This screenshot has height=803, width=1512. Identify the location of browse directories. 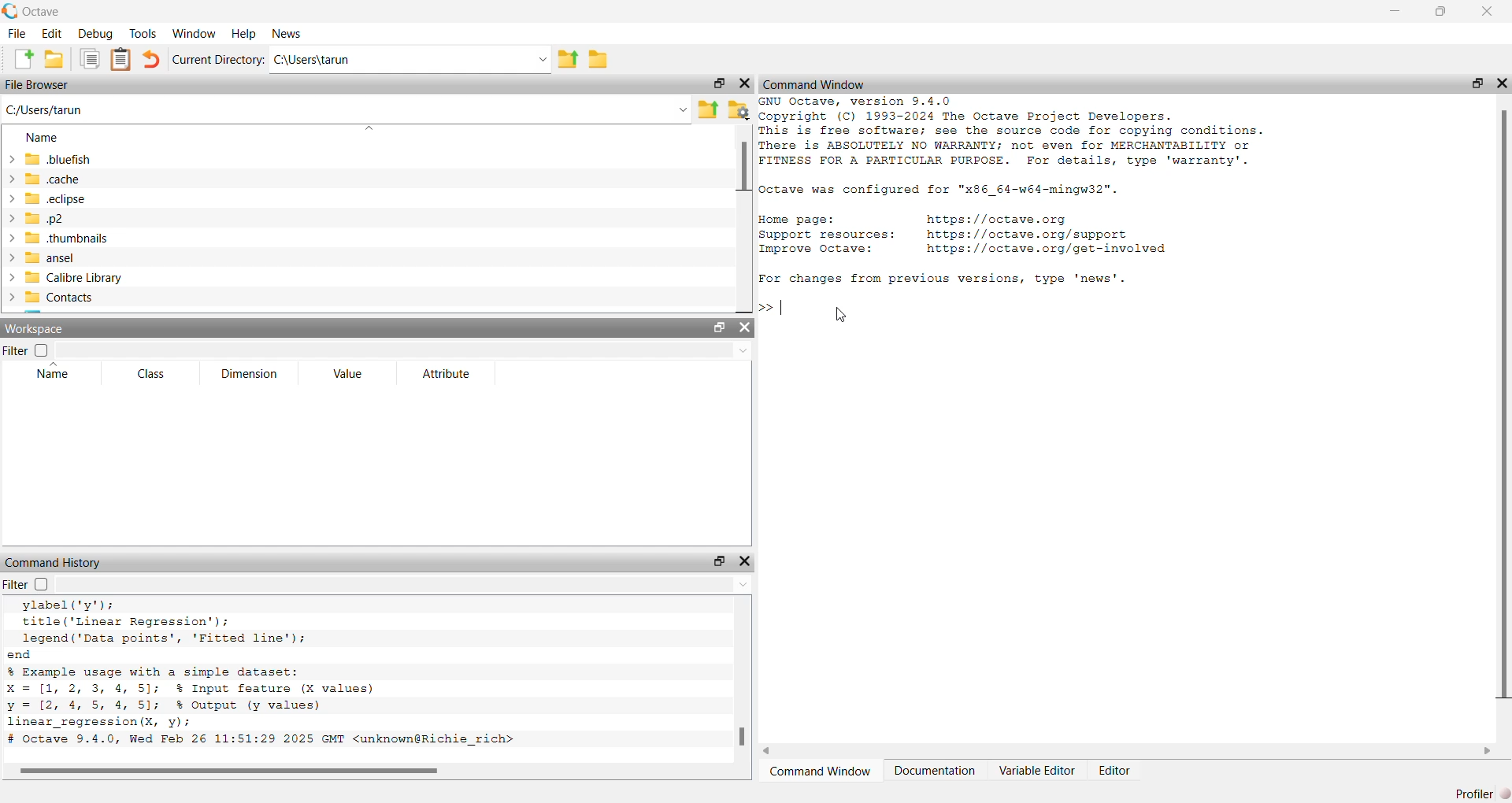
(598, 60).